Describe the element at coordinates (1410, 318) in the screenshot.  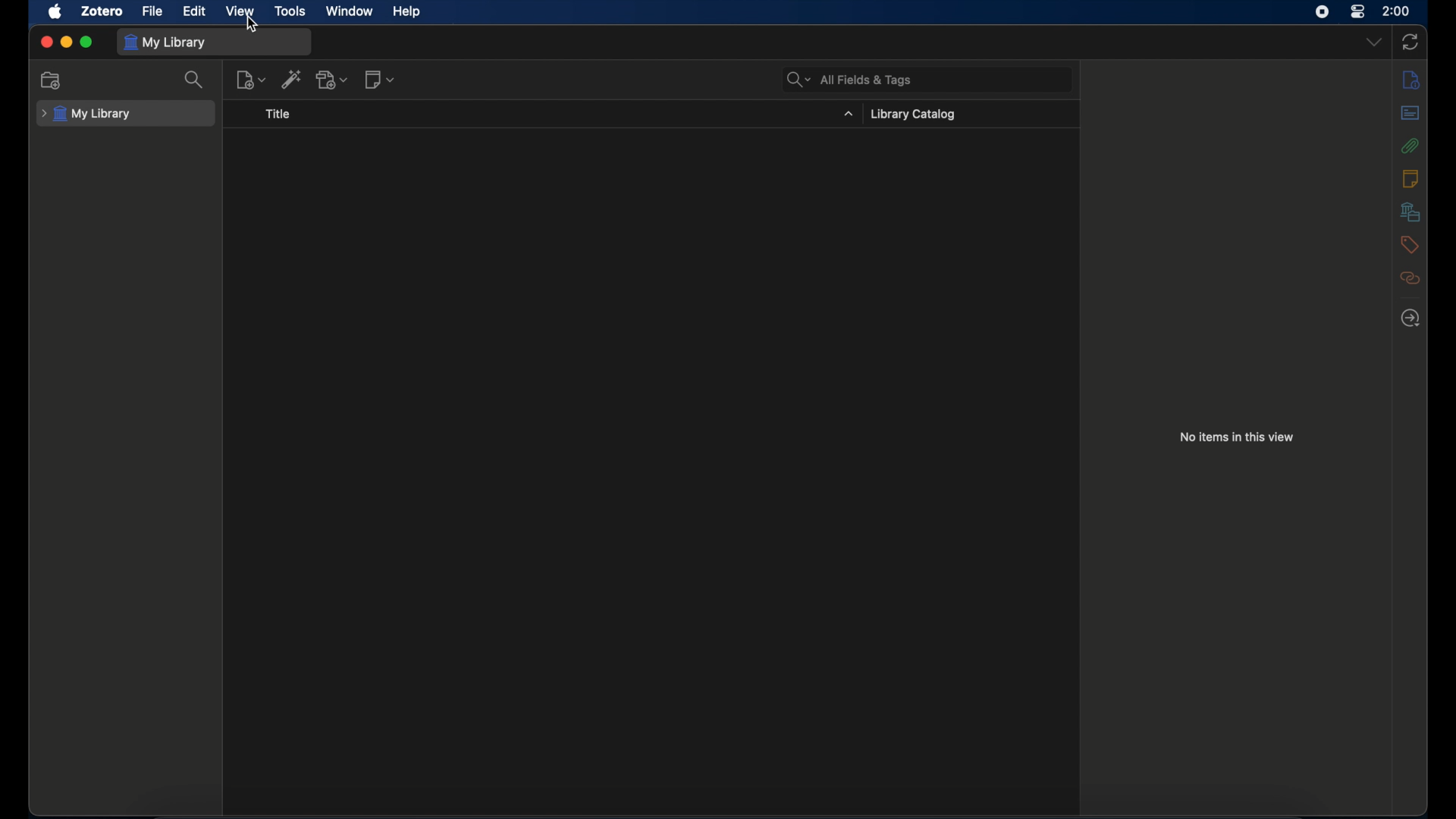
I see `locate` at that location.